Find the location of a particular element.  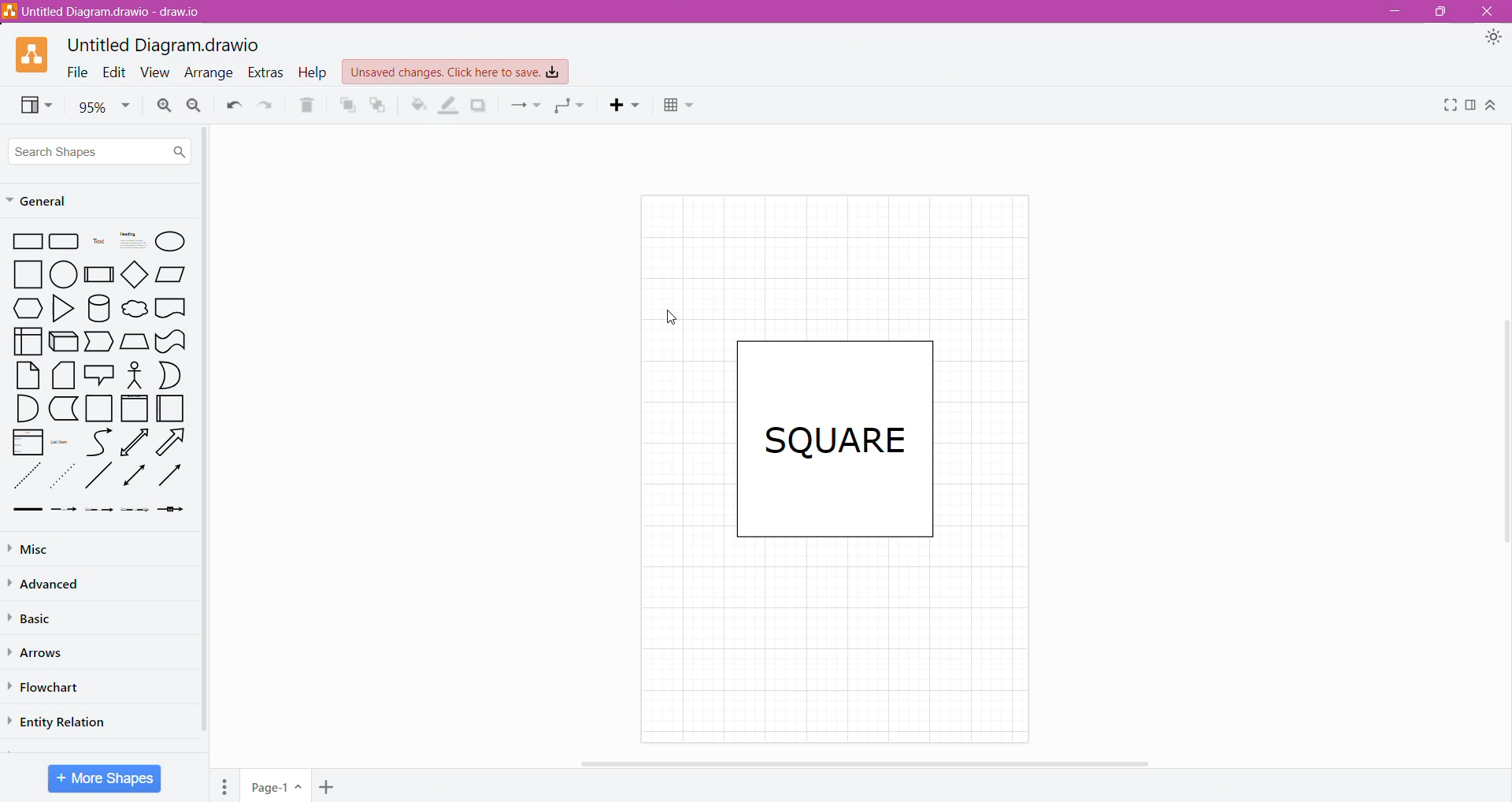

Square  is located at coordinates (99, 409).